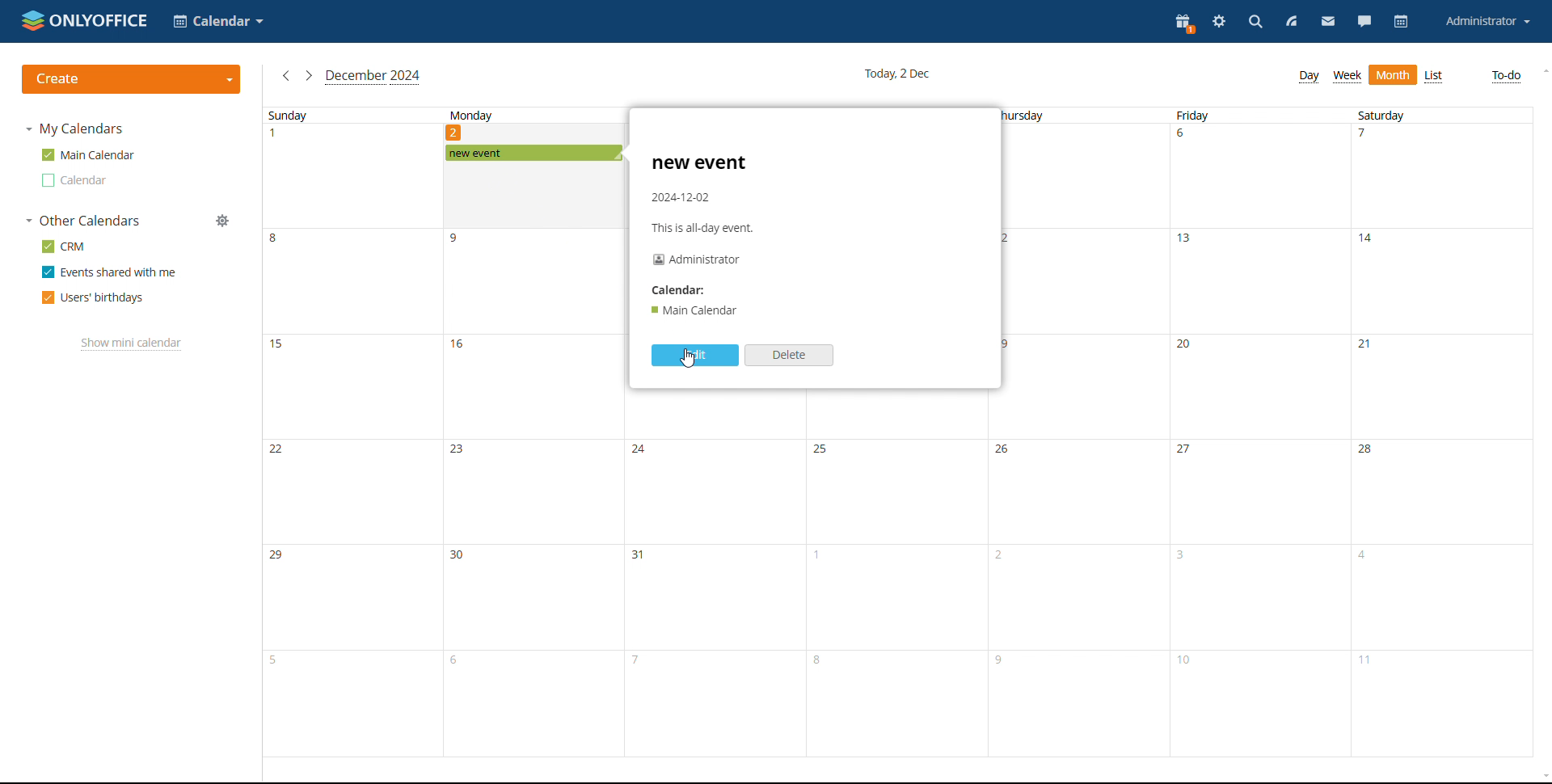 The width and height of the screenshot is (1552, 784). I want to click on edit, so click(694, 355).